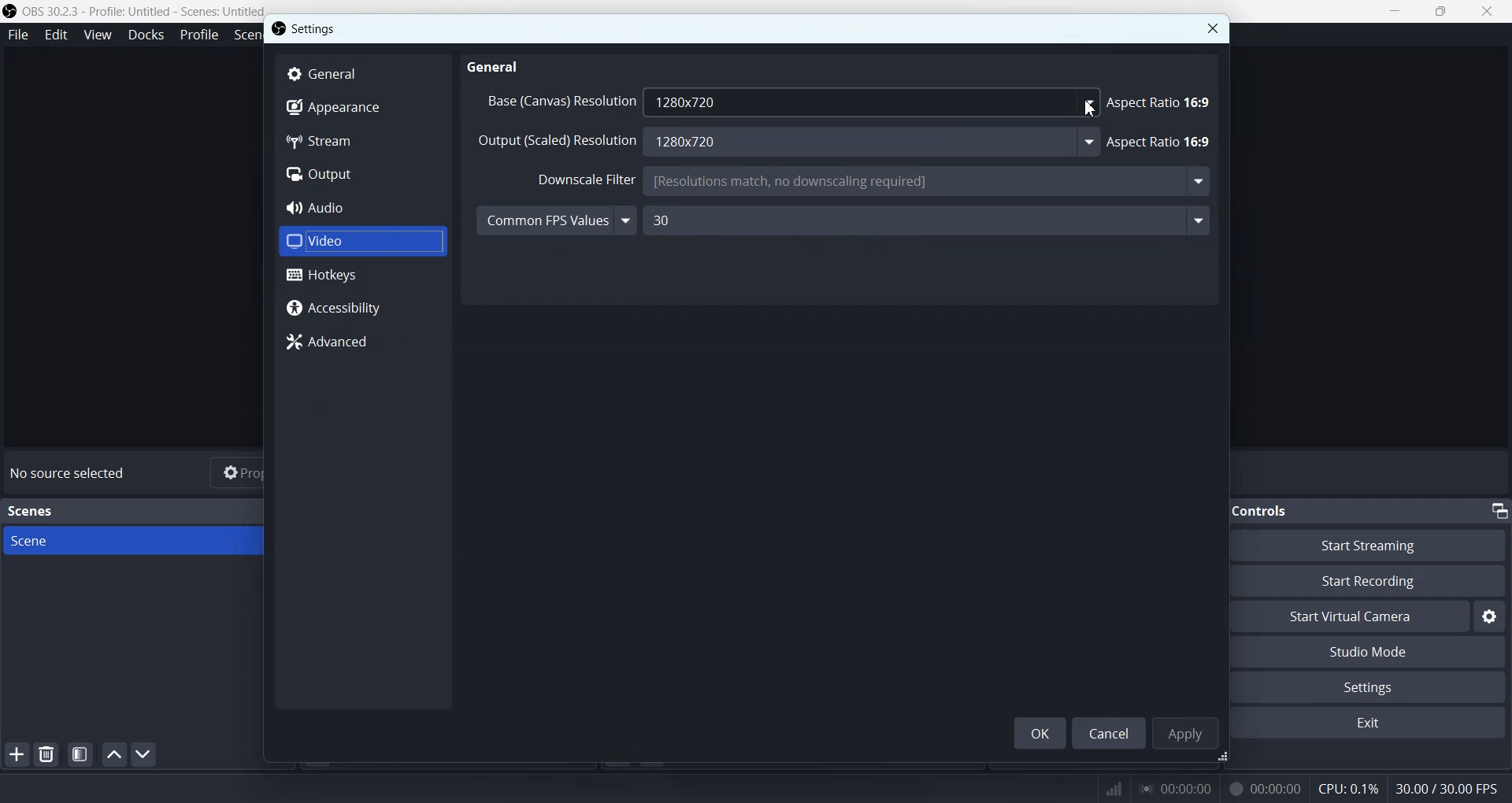  What do you see at coordinates (16, 754) in the screenshot?
I see `Add Scene` at bounding box center [16, 754].